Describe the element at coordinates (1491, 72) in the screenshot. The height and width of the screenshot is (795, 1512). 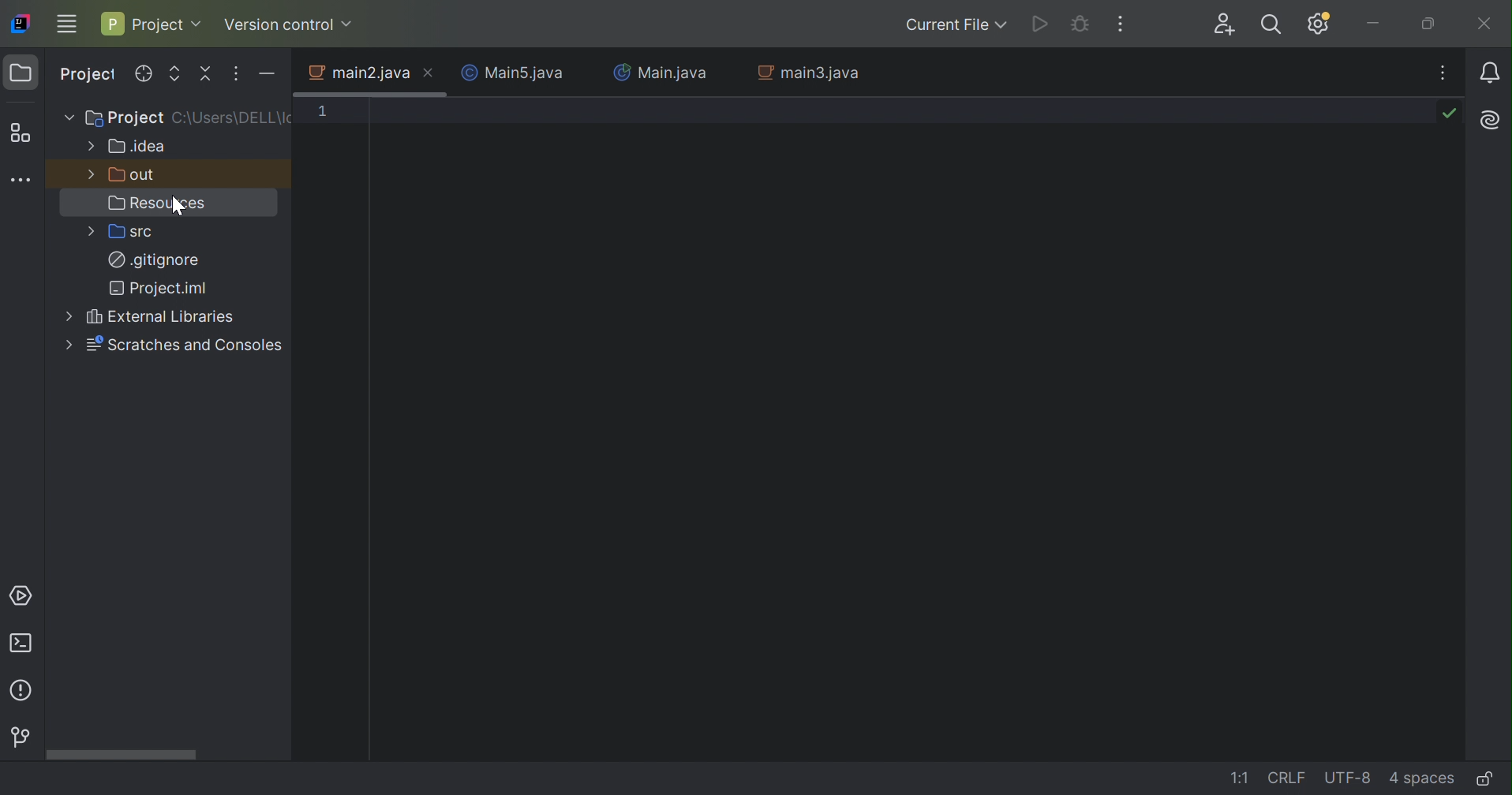
I see `Notifications` at that location.